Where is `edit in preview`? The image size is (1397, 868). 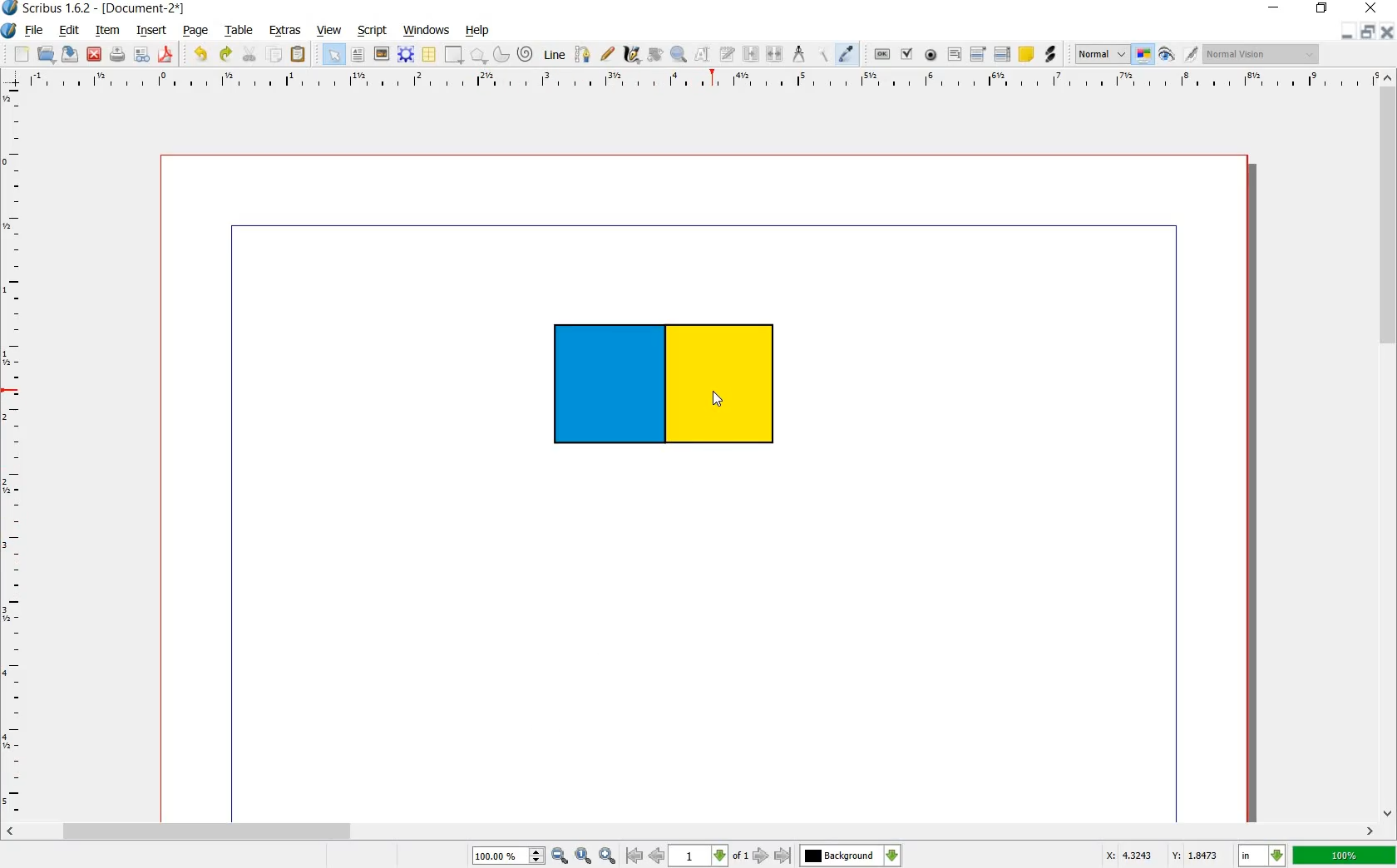
edit in preview is located at coordinates (1190, 53).